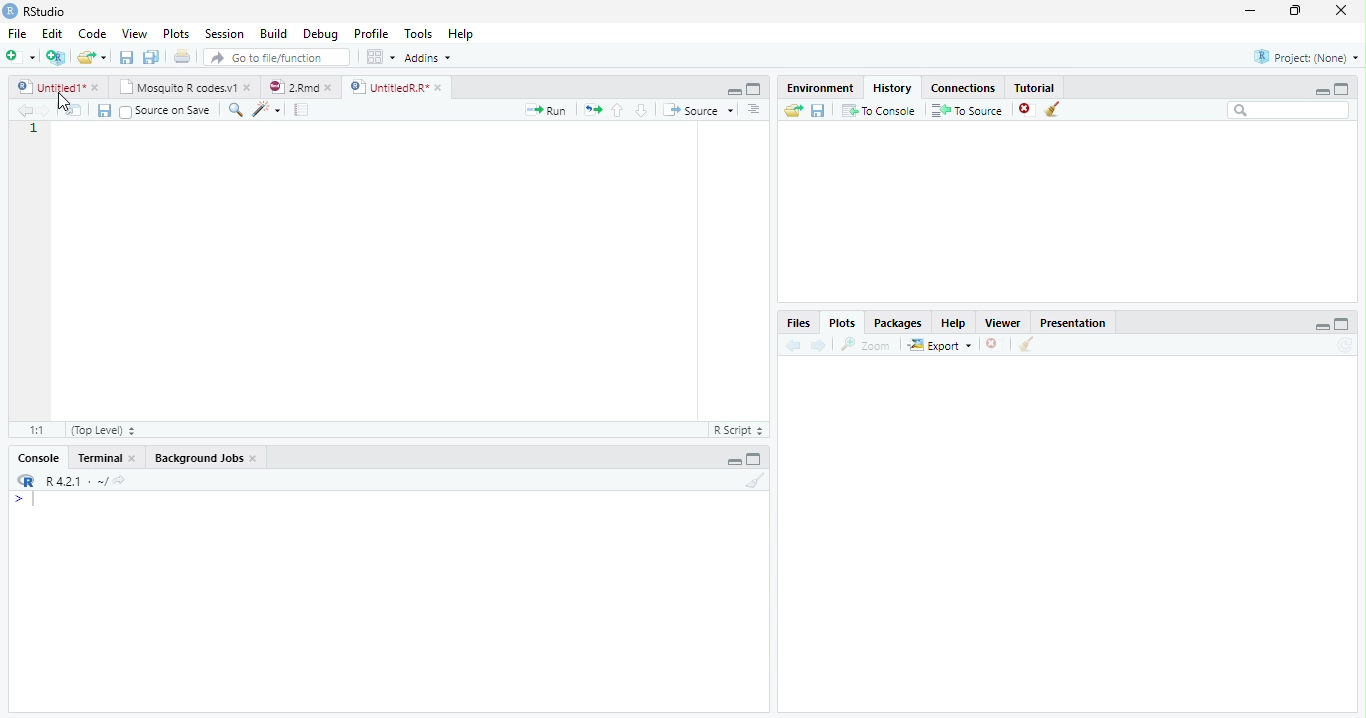  What do you see at coordinates (1290, 110) in the screenshot?
I see `Search bar` at bounding box center [1290, 110].